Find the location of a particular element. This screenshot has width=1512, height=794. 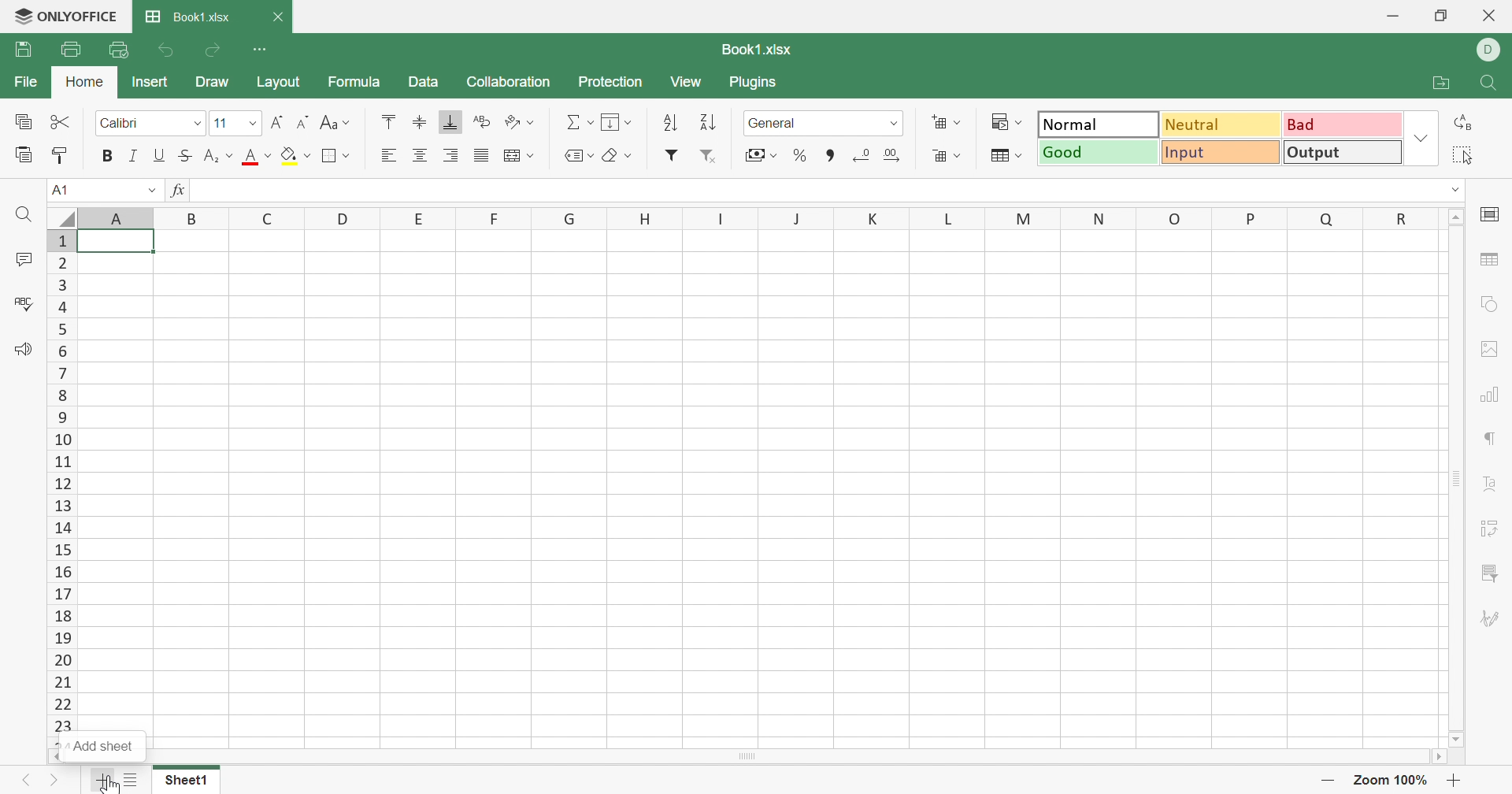

10 is located at coordinates (63, 441).